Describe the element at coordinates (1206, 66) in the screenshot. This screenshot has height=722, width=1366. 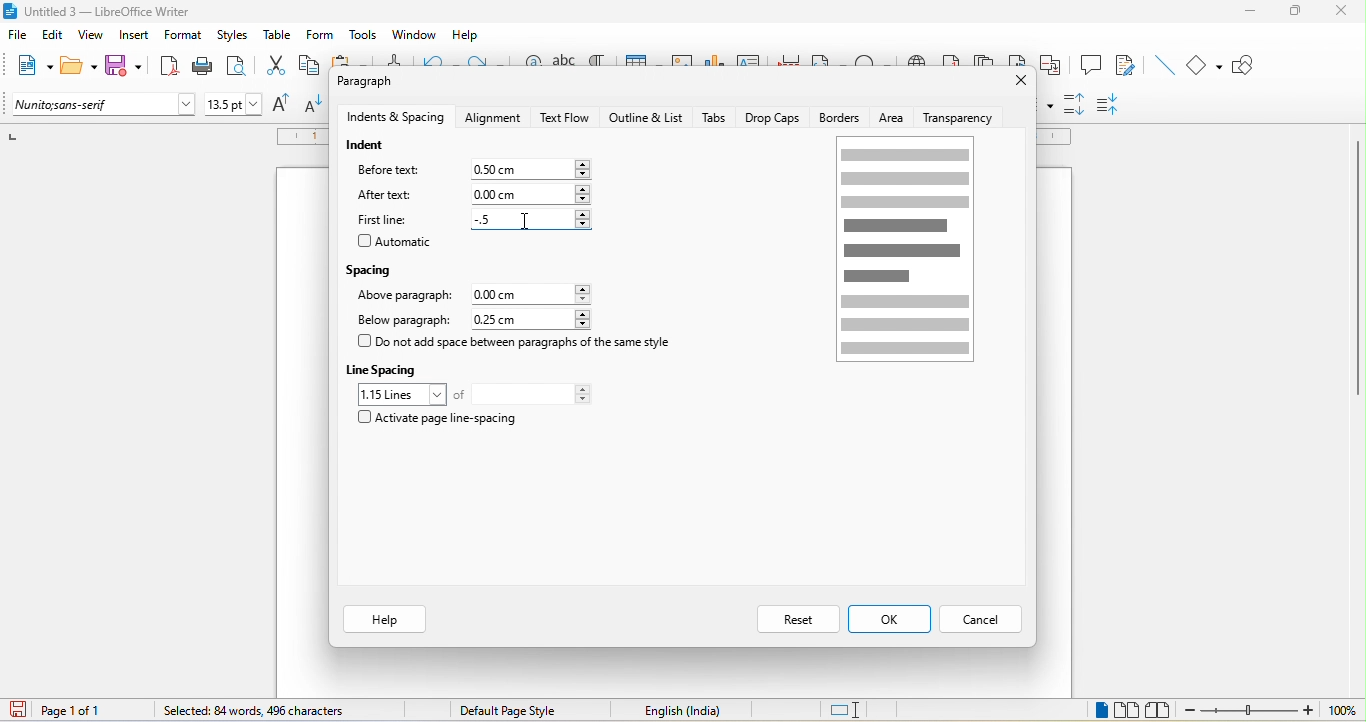
I see `basic shapes` at that location.